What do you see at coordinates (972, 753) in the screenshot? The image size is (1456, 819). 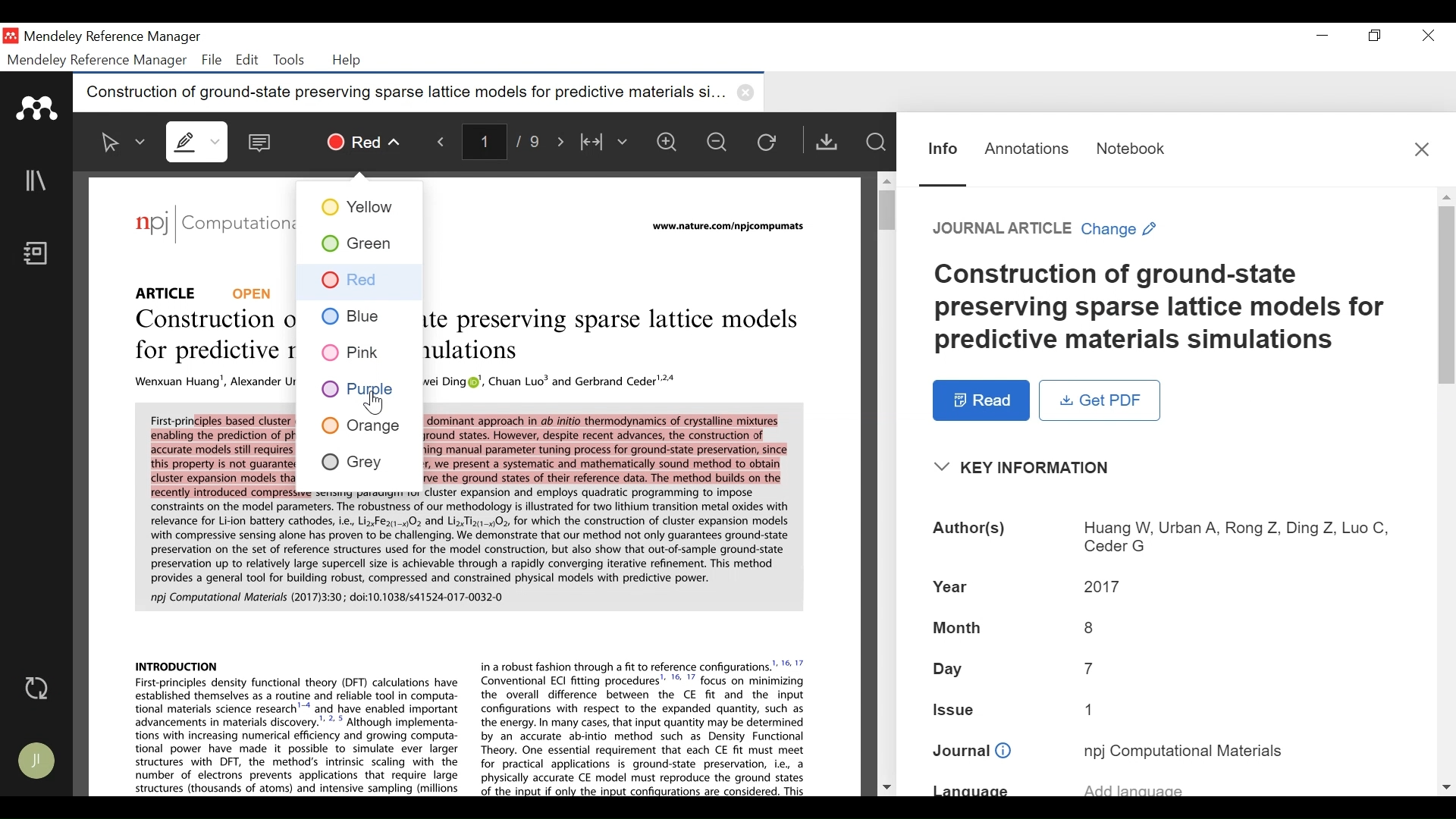 I see `Journal: ` at bounding box center [972, 753].